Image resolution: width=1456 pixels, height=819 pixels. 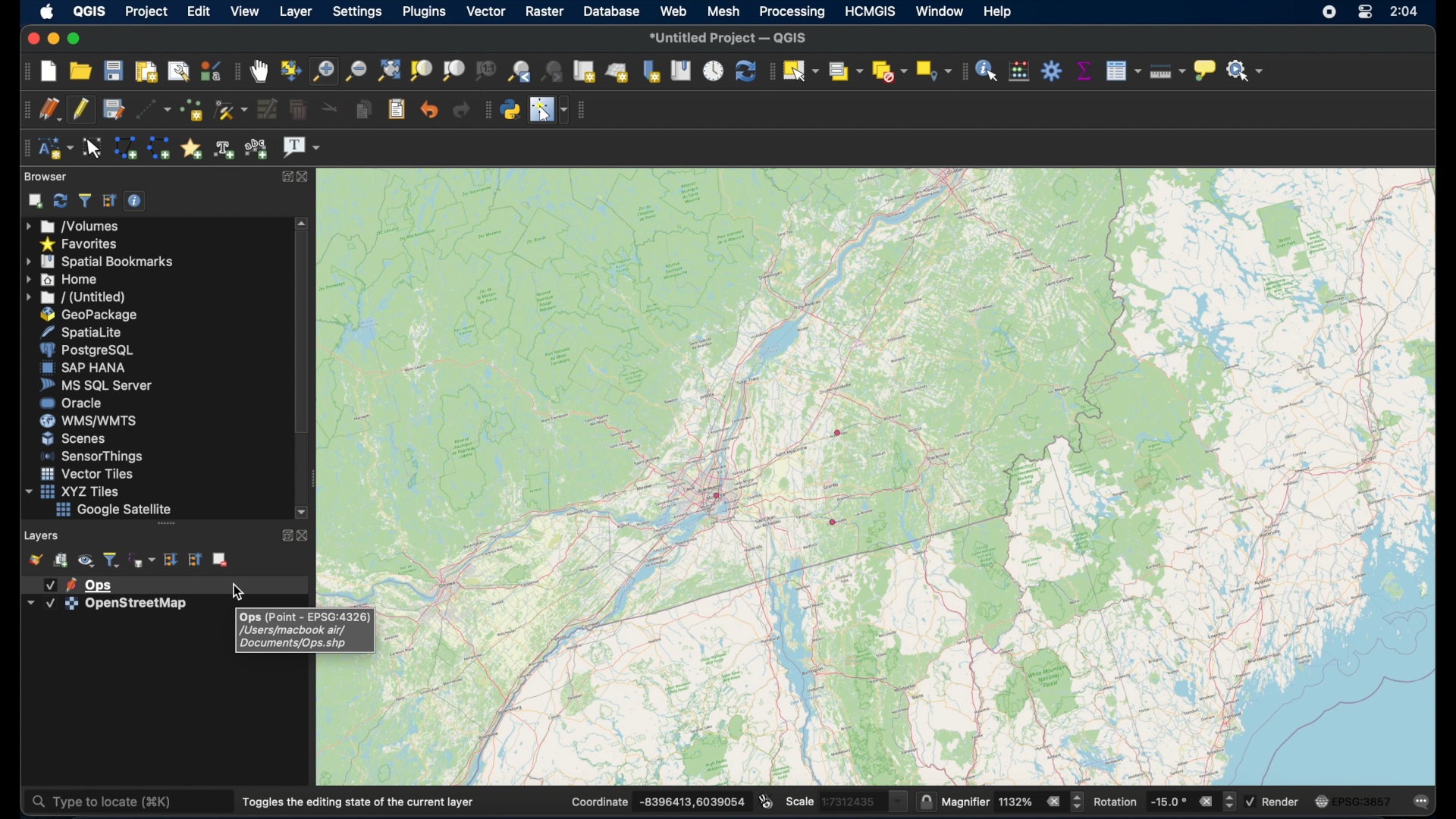 I want to click on create polygon annotation, so click(x=126, y=146).